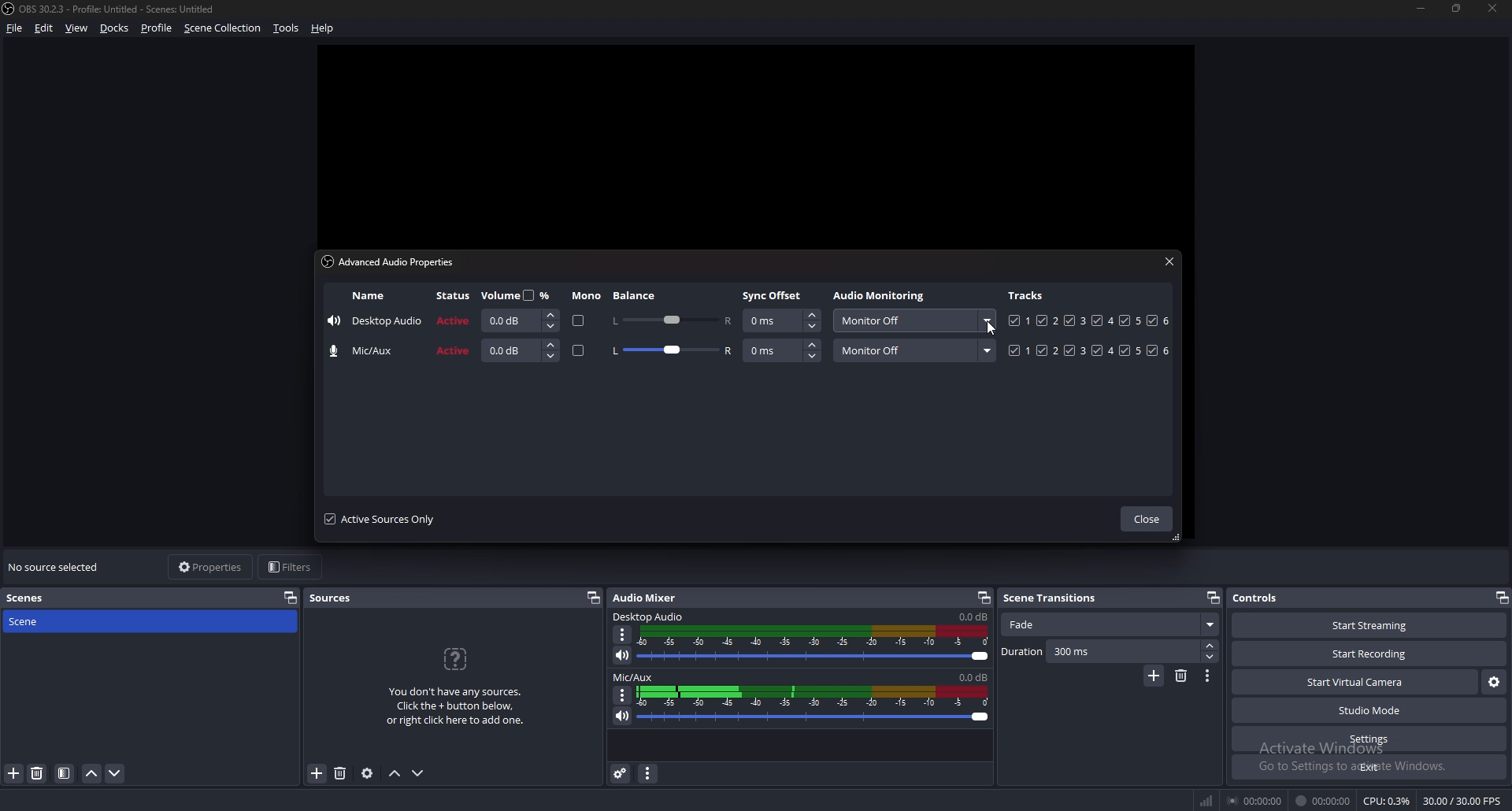  Describe the element at coordinates (624, 635) in the screenshot. I see `options` at that location.